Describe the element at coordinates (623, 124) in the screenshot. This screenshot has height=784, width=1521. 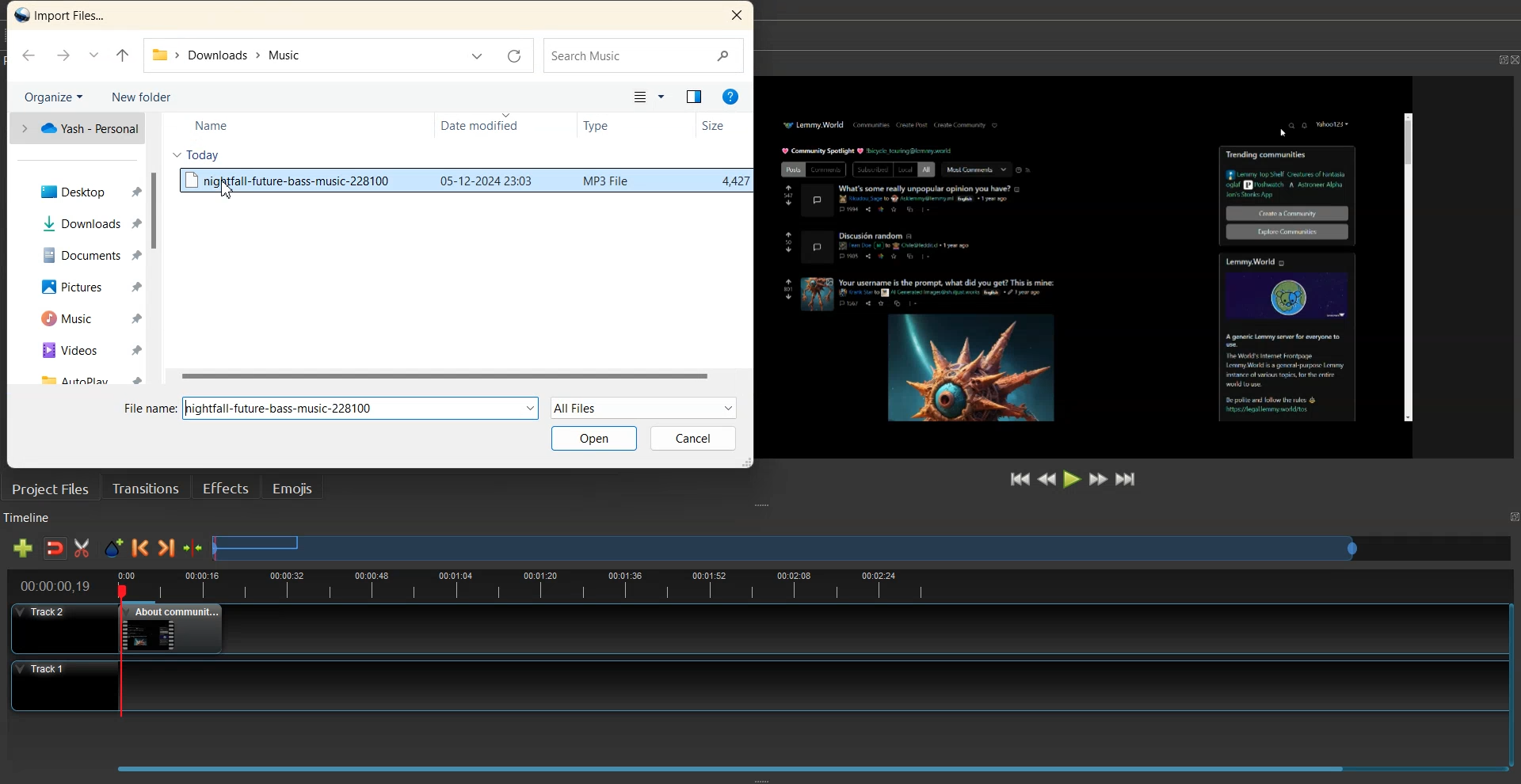
I see `Type` at that location.